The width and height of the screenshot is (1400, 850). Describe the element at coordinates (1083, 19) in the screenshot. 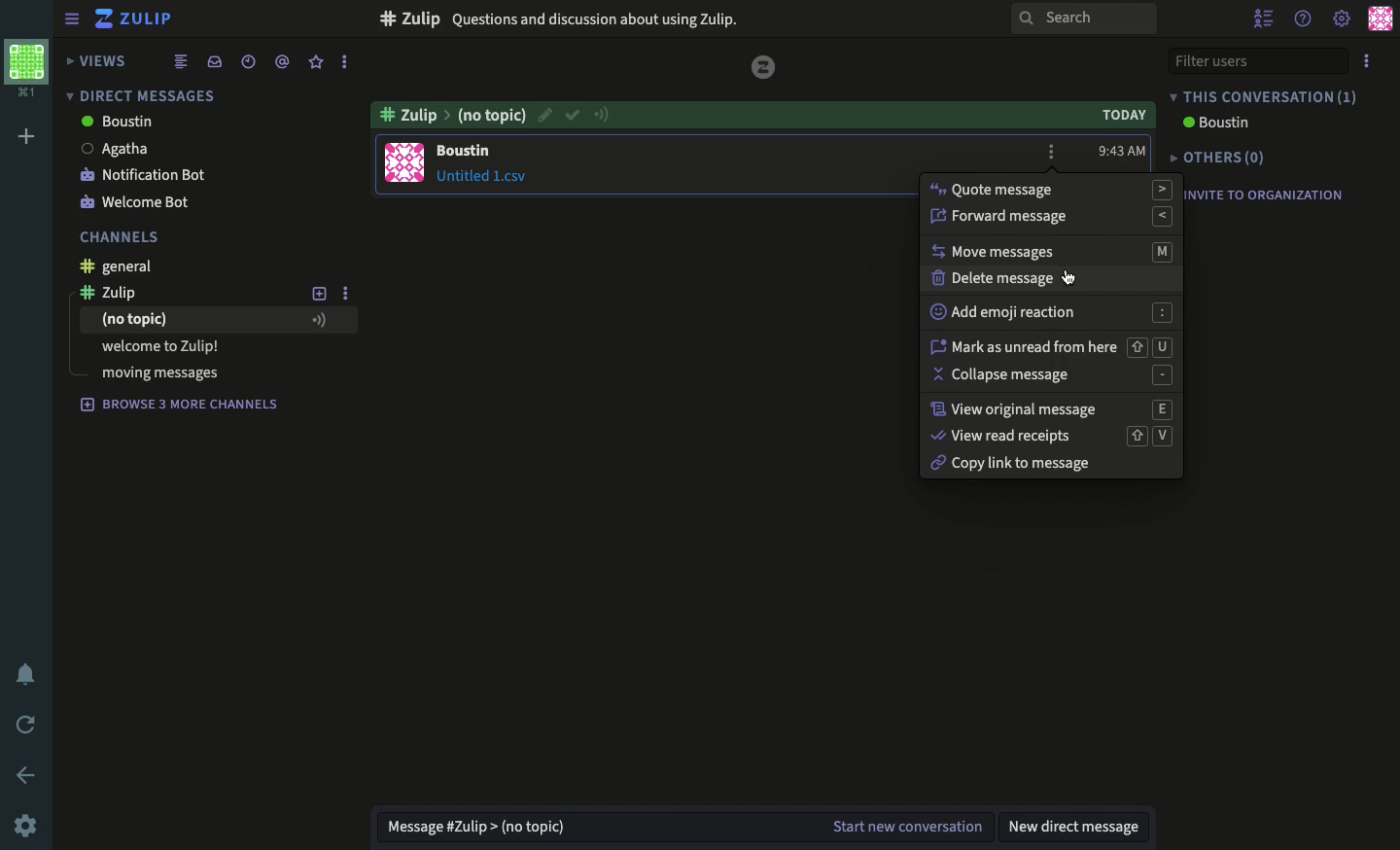

I see `search` at that location.